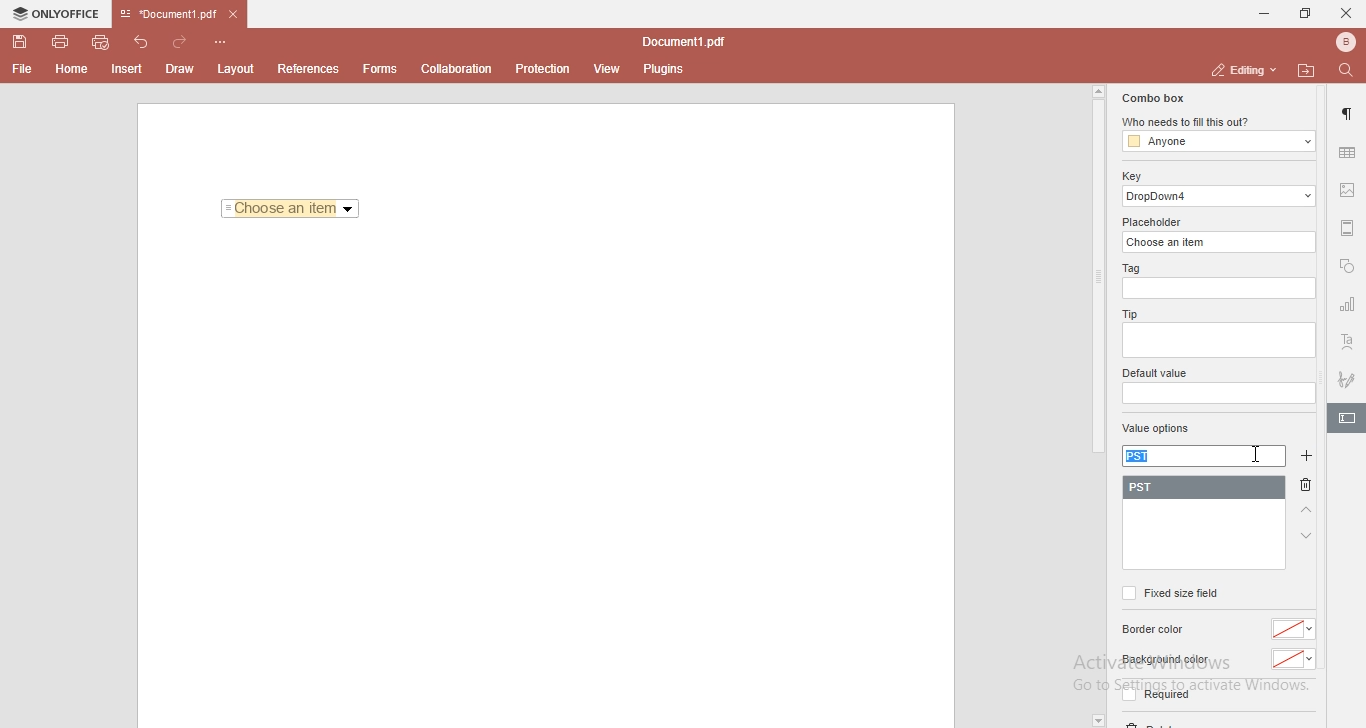 The width and height of the screenshot is (1366, 728). Describe the element at coordinates (1155, 222) in the screenshot. I see `placeholder` at that location.